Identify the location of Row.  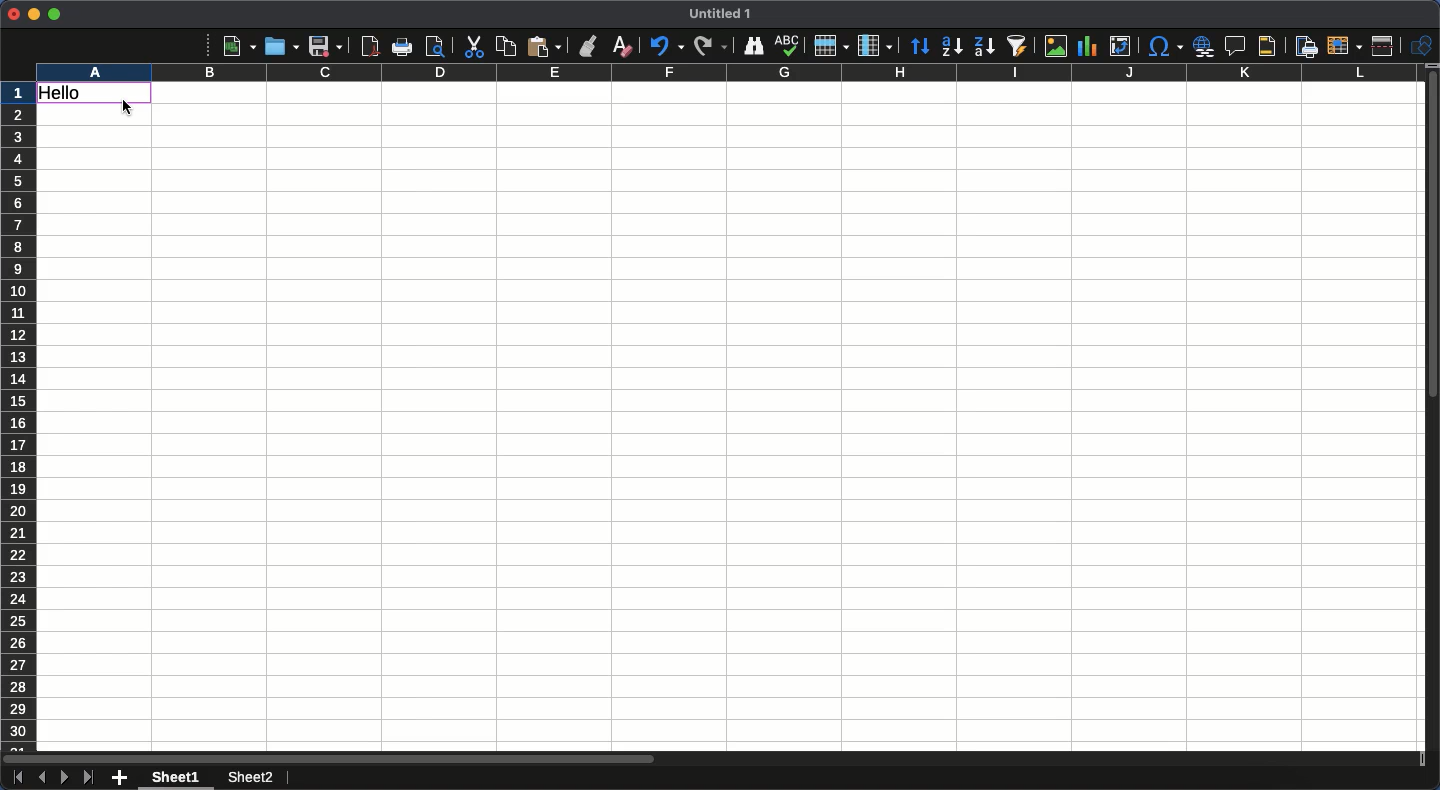
(832, 45).